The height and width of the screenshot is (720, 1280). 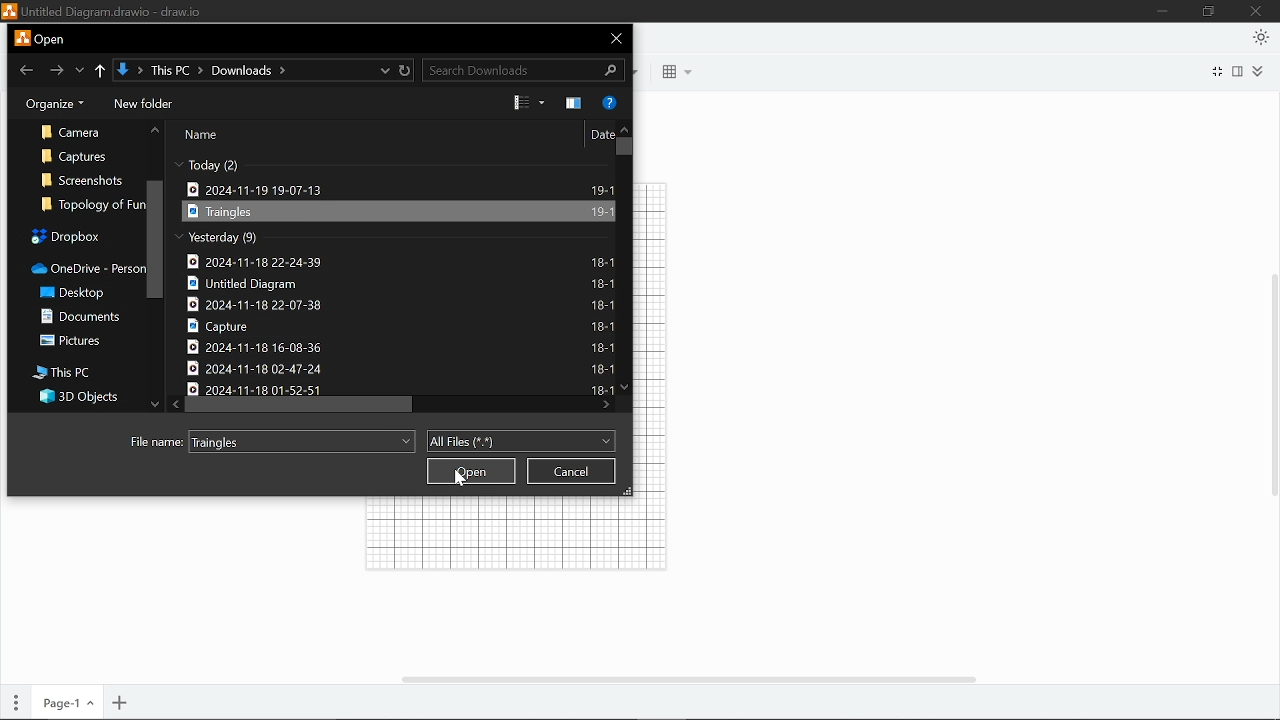 I want to click on Maximize, so click(x=1206, y=11).